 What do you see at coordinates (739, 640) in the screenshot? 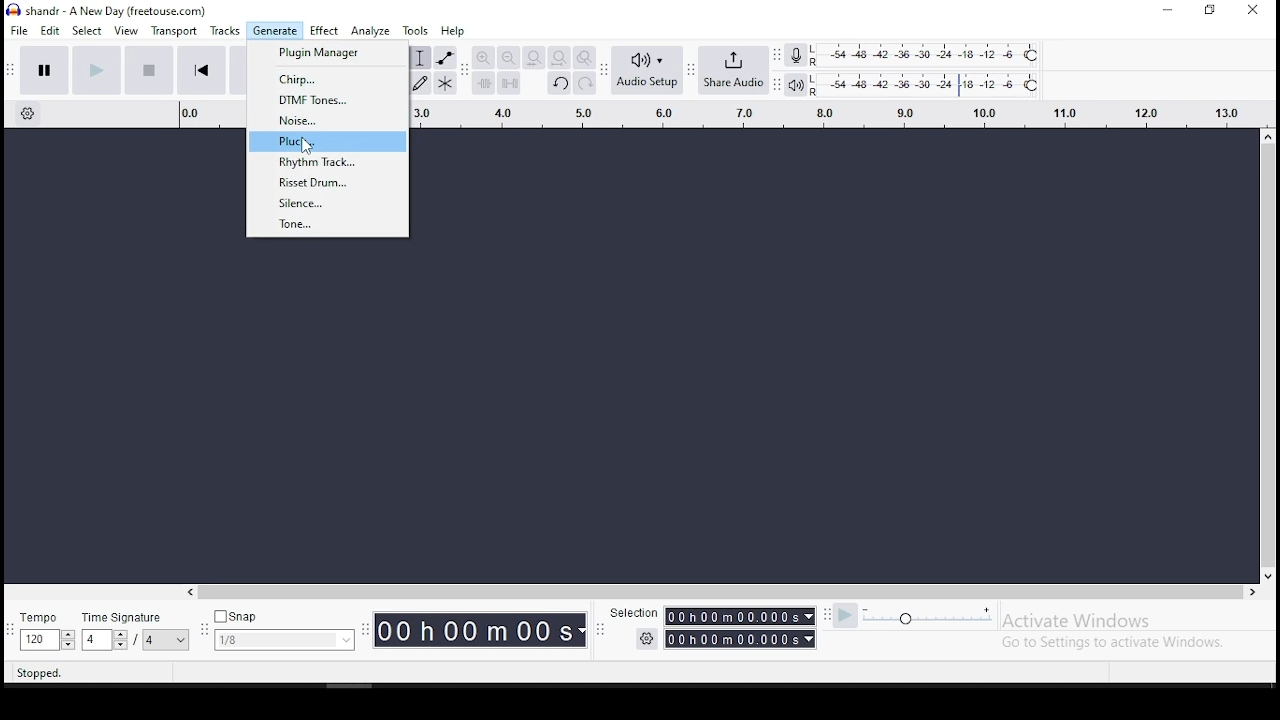
I see `00h00m00s` at bounding box center [739, 640].